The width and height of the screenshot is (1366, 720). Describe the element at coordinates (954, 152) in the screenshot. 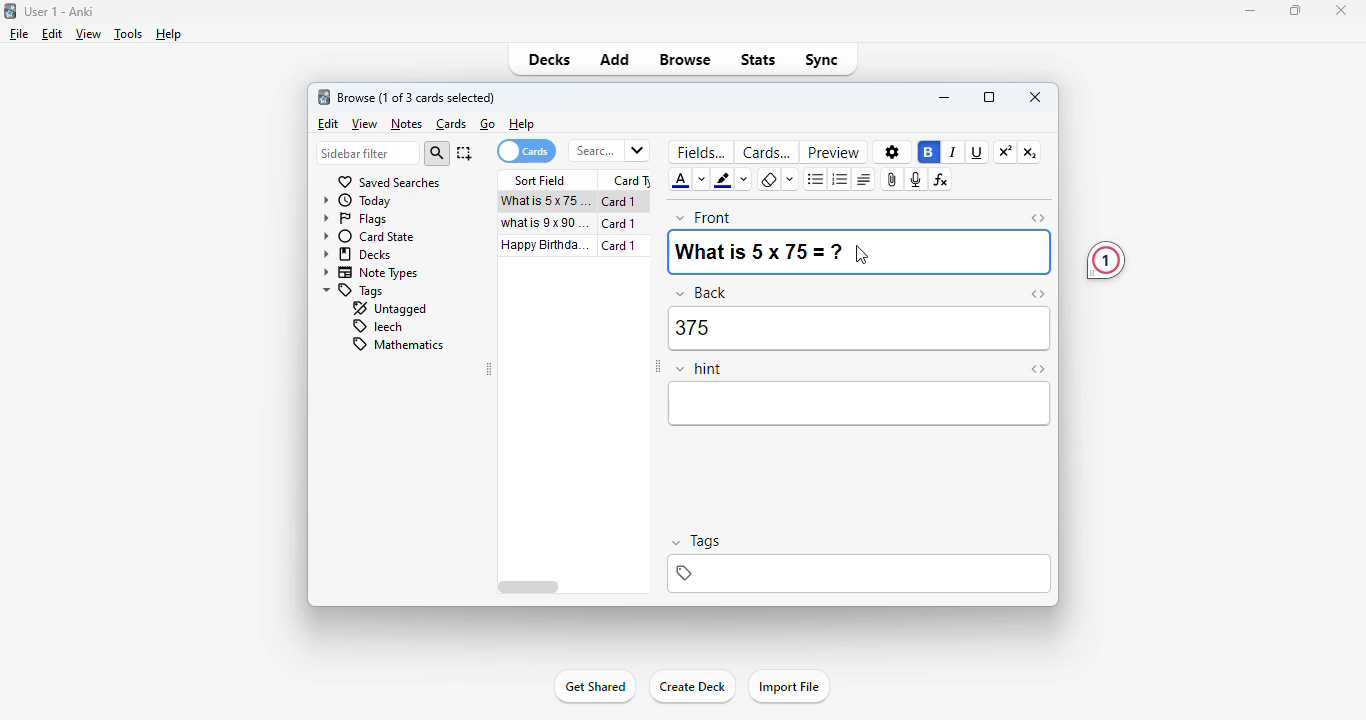

I see `italic` at that location.